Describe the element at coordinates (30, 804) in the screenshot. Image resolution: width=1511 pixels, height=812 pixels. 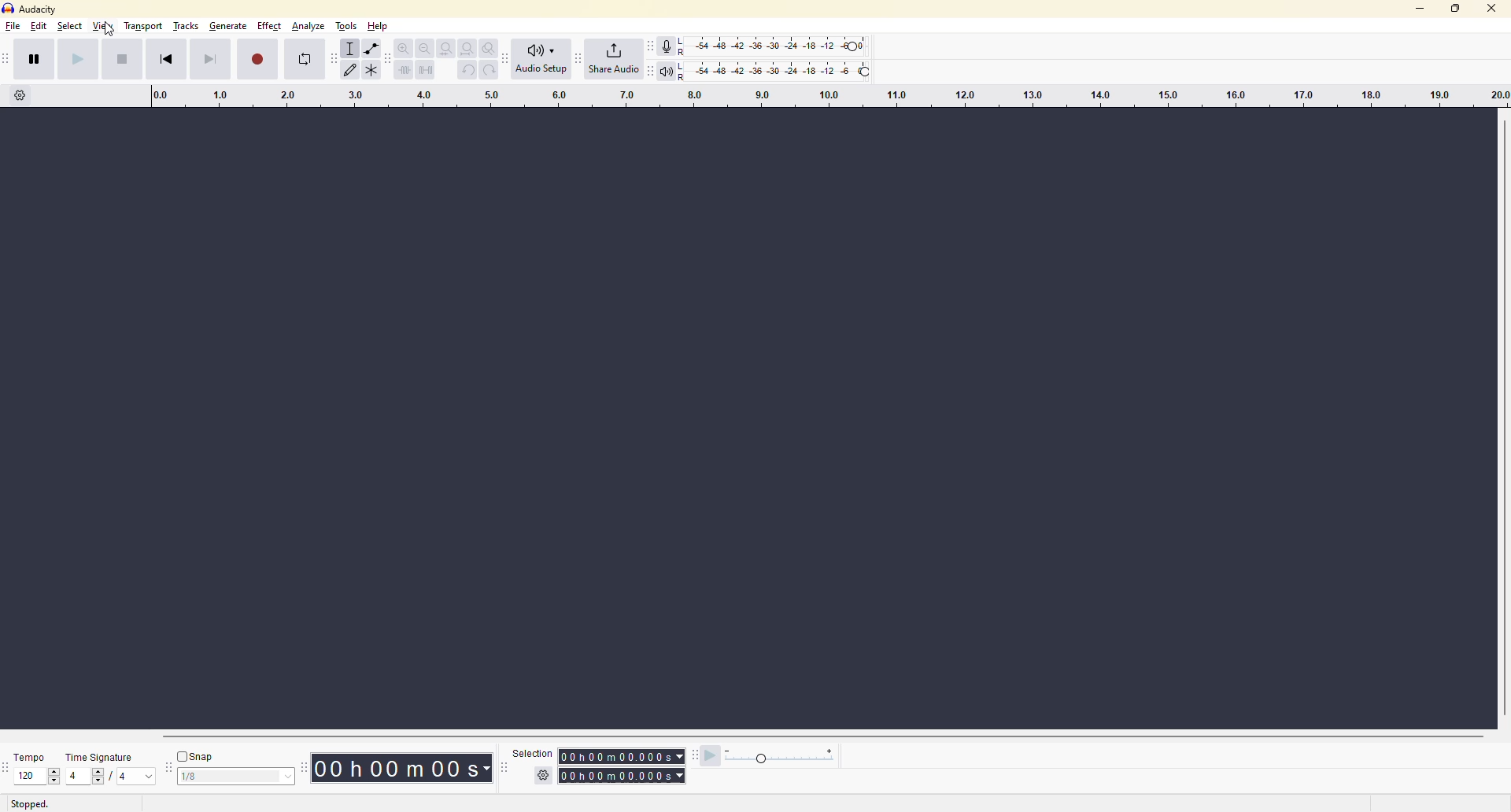
I see `stopped` at that location.